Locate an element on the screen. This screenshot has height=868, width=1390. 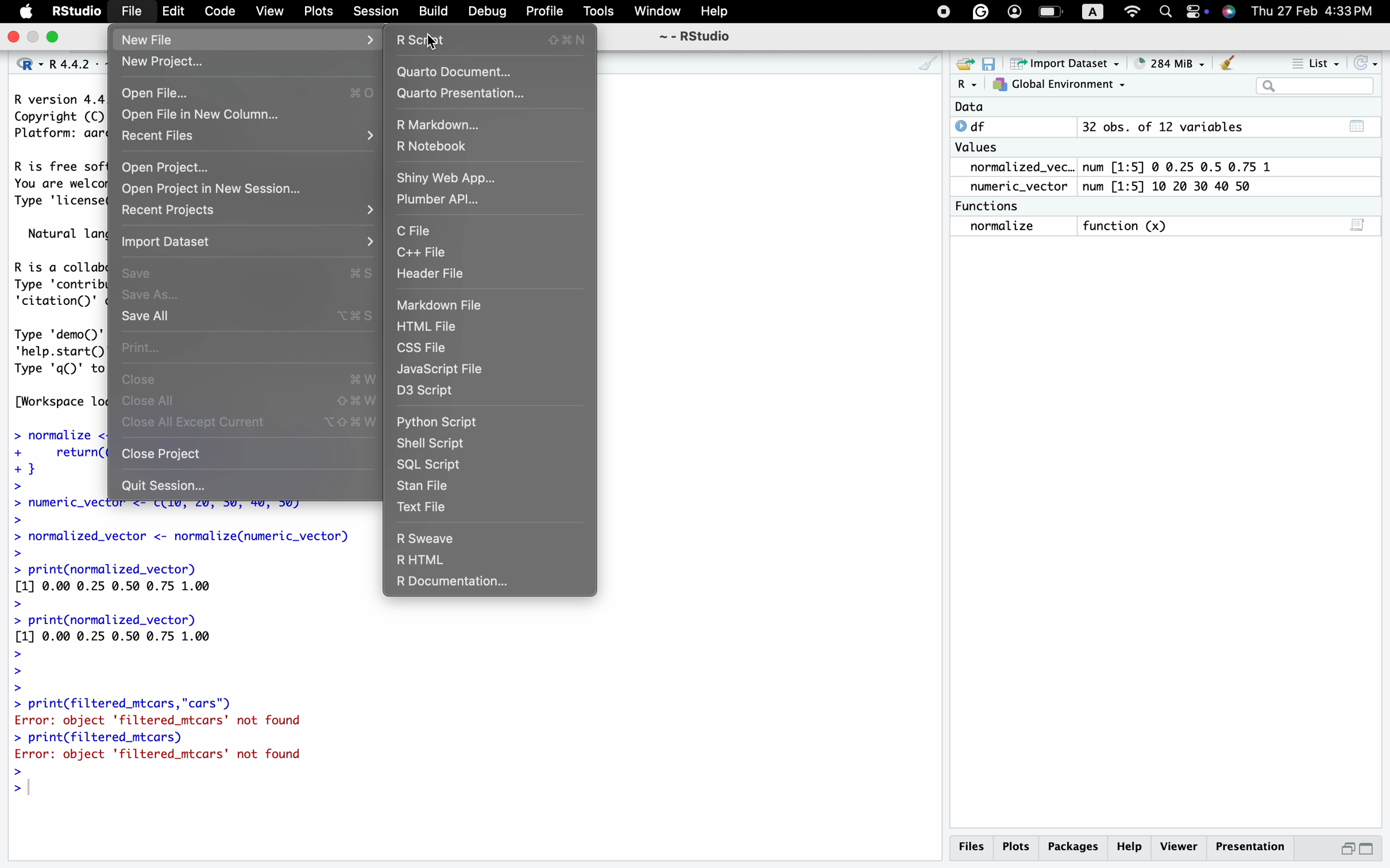
Tools is located at coordinates (601, 10).